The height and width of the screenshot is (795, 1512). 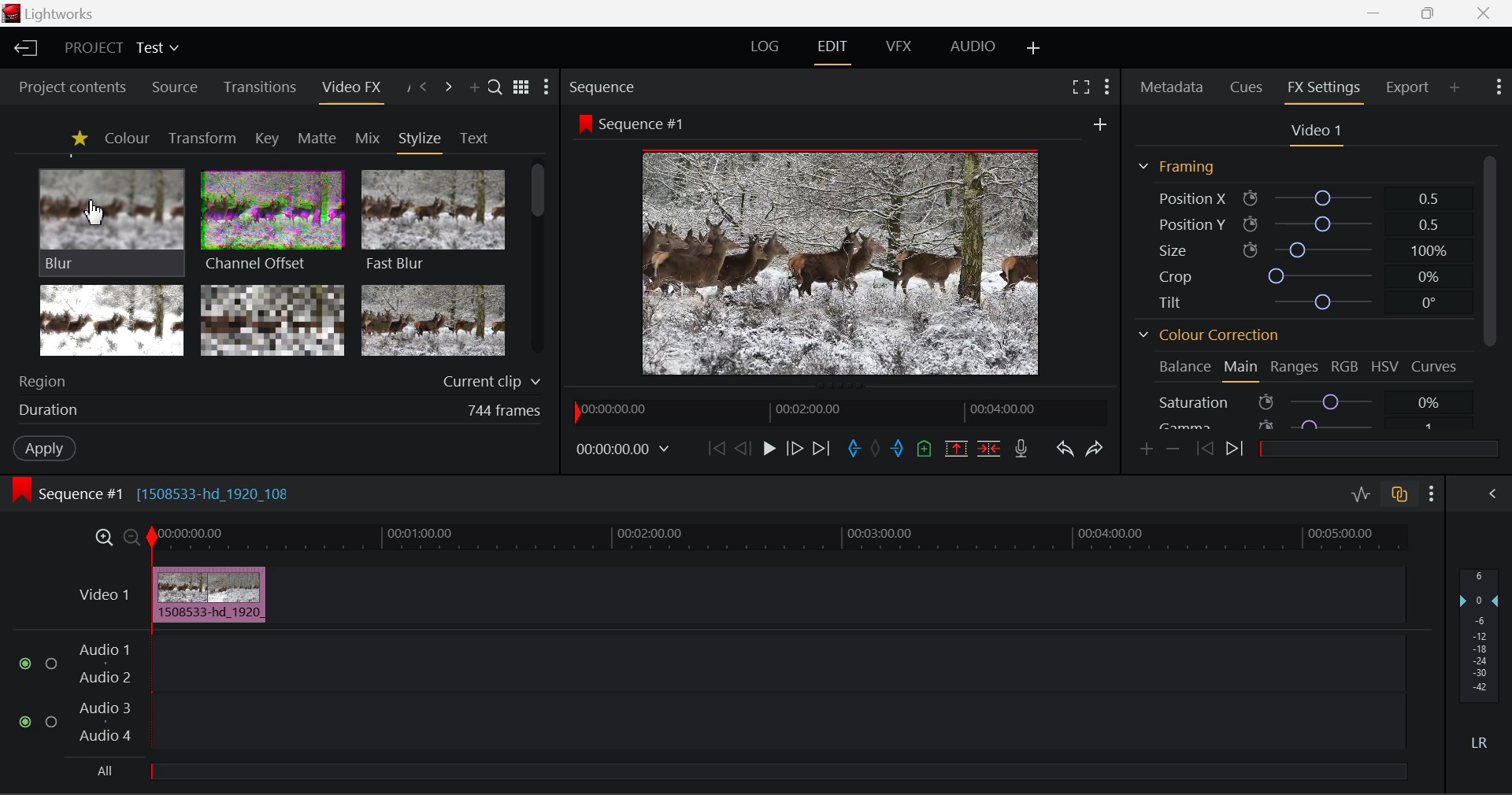 I want to click on Record Voiceover, so click(x=1022, y=447).